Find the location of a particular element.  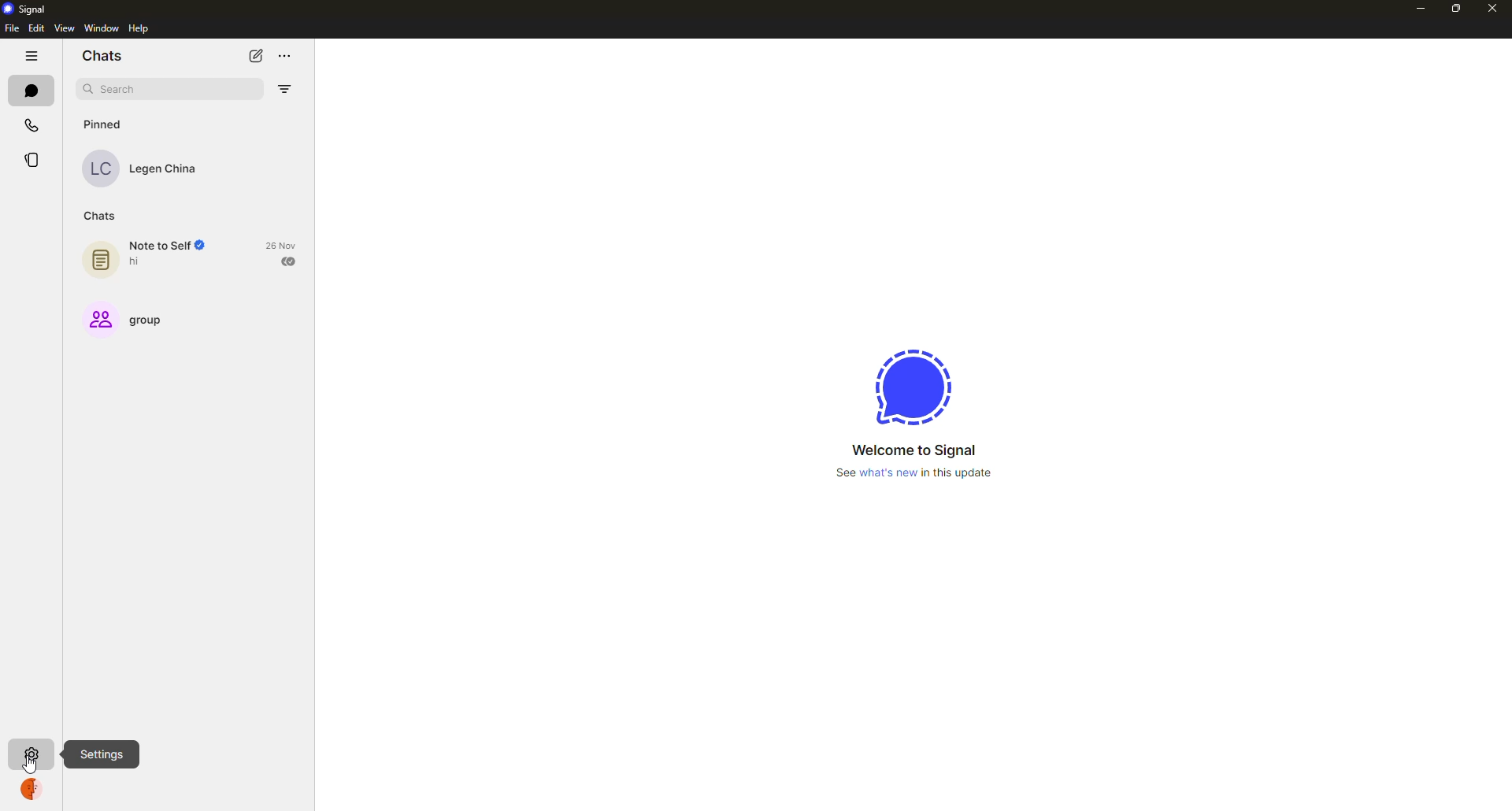

chats is located at coordinates (104, 56).